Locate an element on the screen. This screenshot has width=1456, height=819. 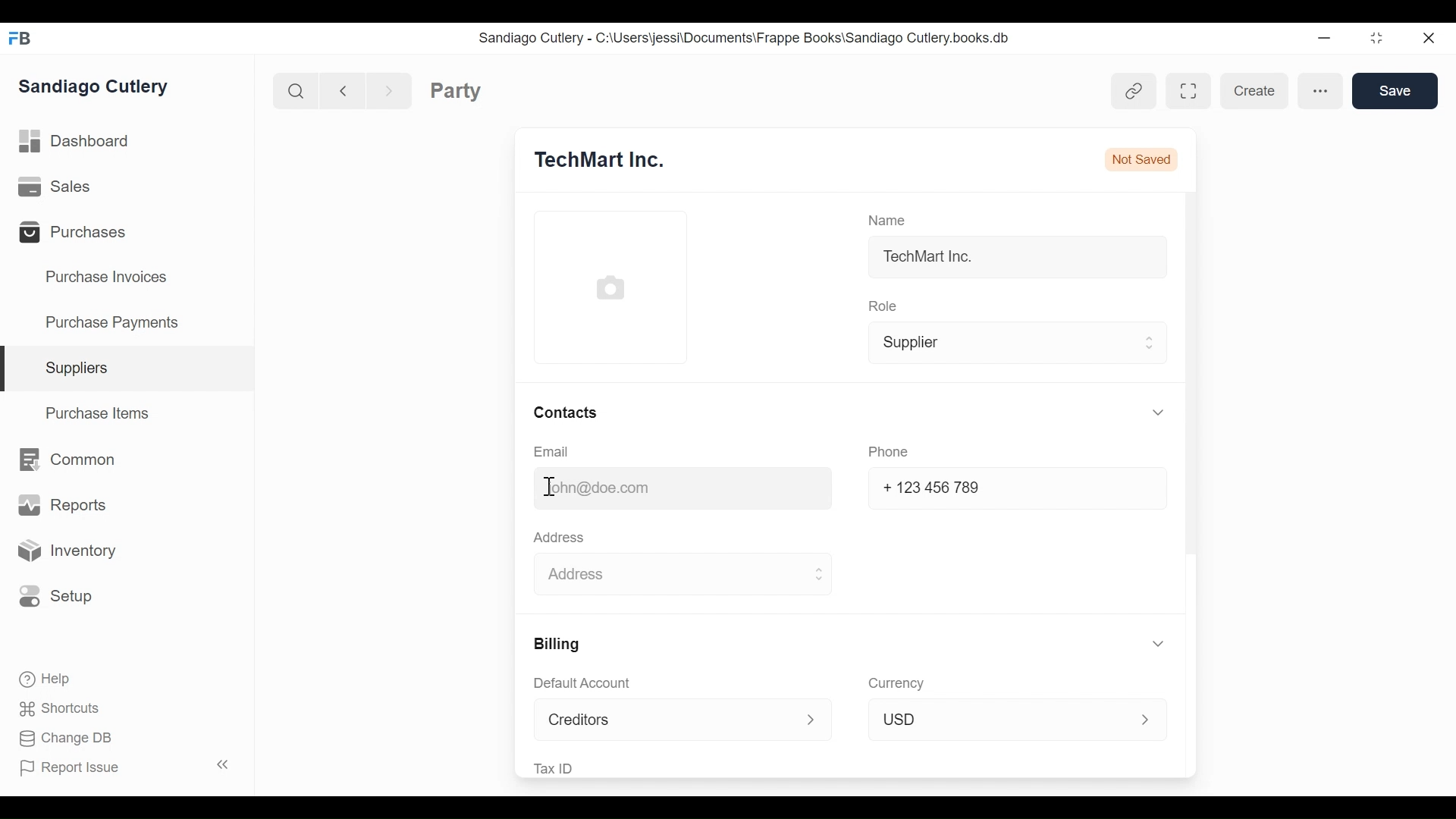
cursor is located at coordinates (553, 485).